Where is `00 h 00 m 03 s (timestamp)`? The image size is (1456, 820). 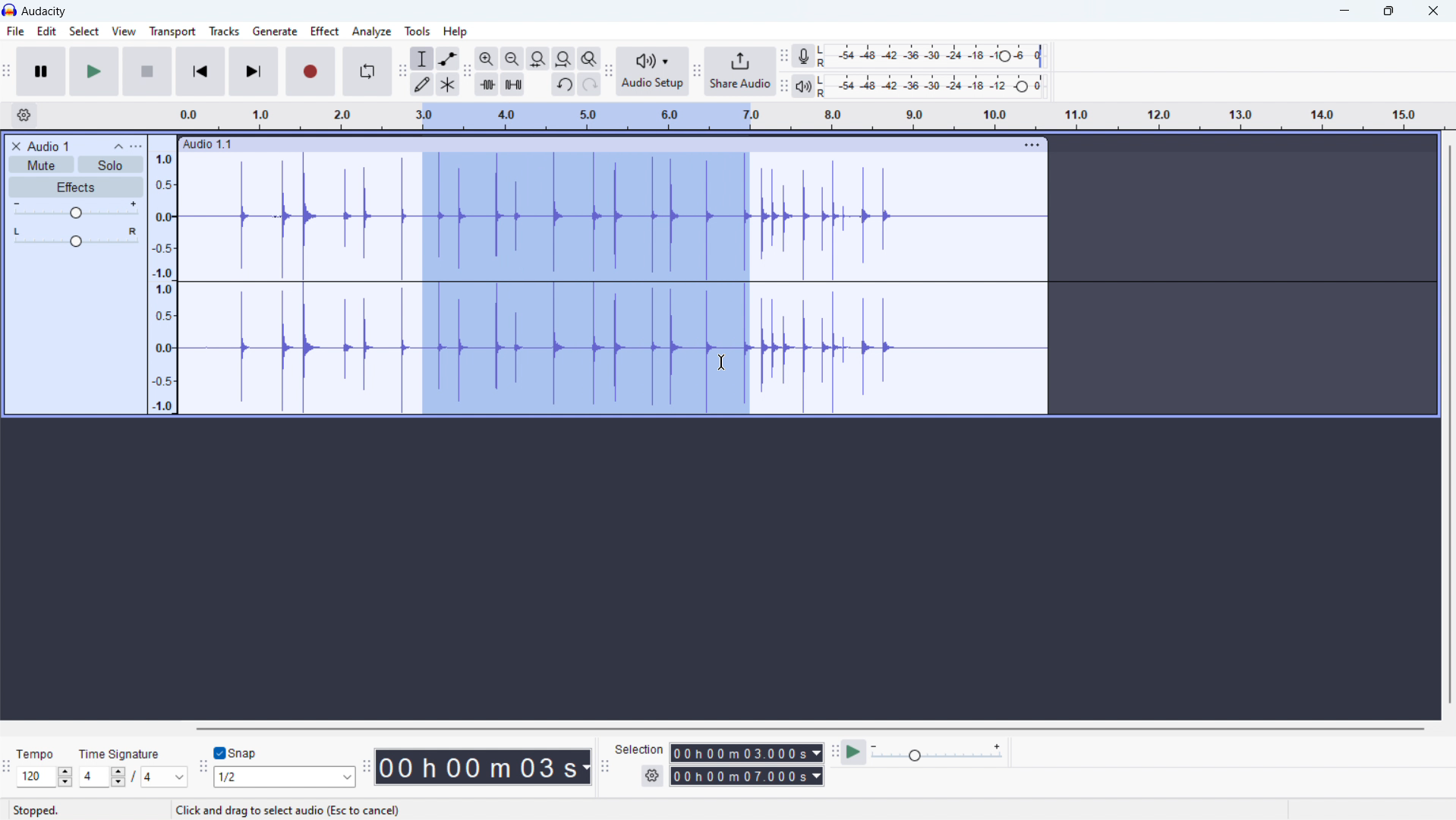
00 h 00 m 03 s (timestamp) is located at coordinates (484, 768).